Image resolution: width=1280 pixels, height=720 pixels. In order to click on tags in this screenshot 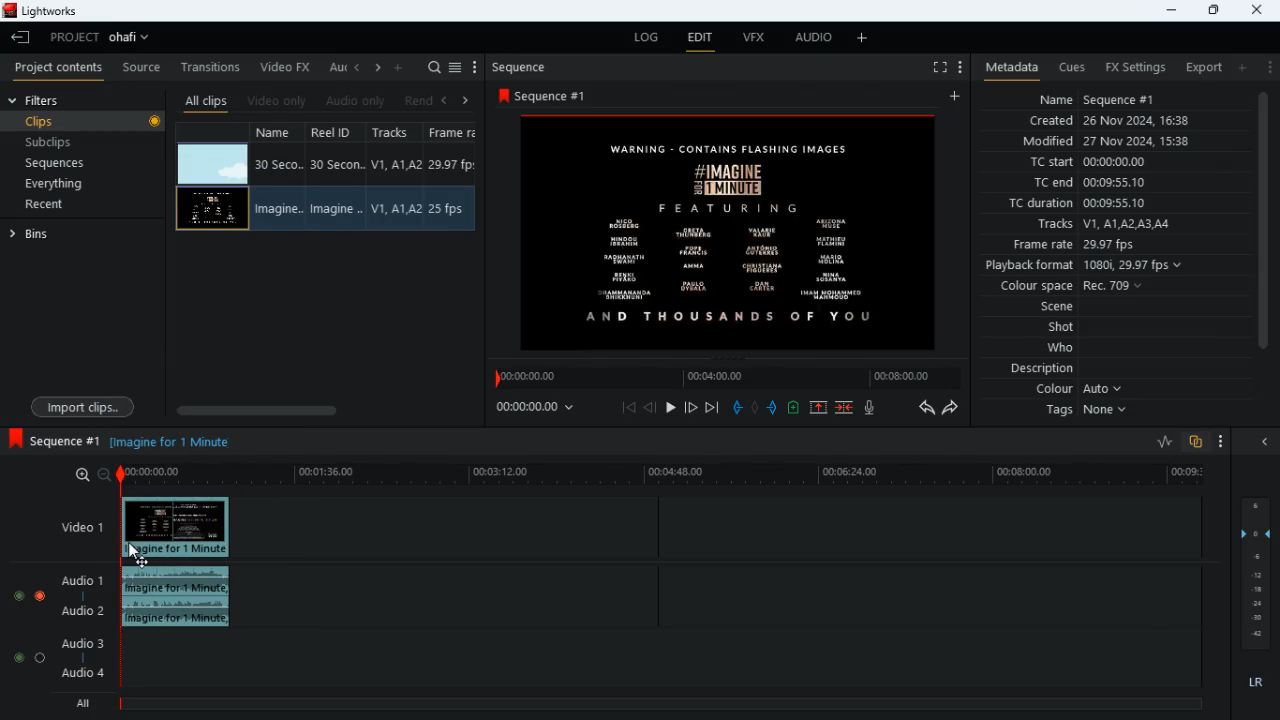, I will do `click(1078, 414)`.